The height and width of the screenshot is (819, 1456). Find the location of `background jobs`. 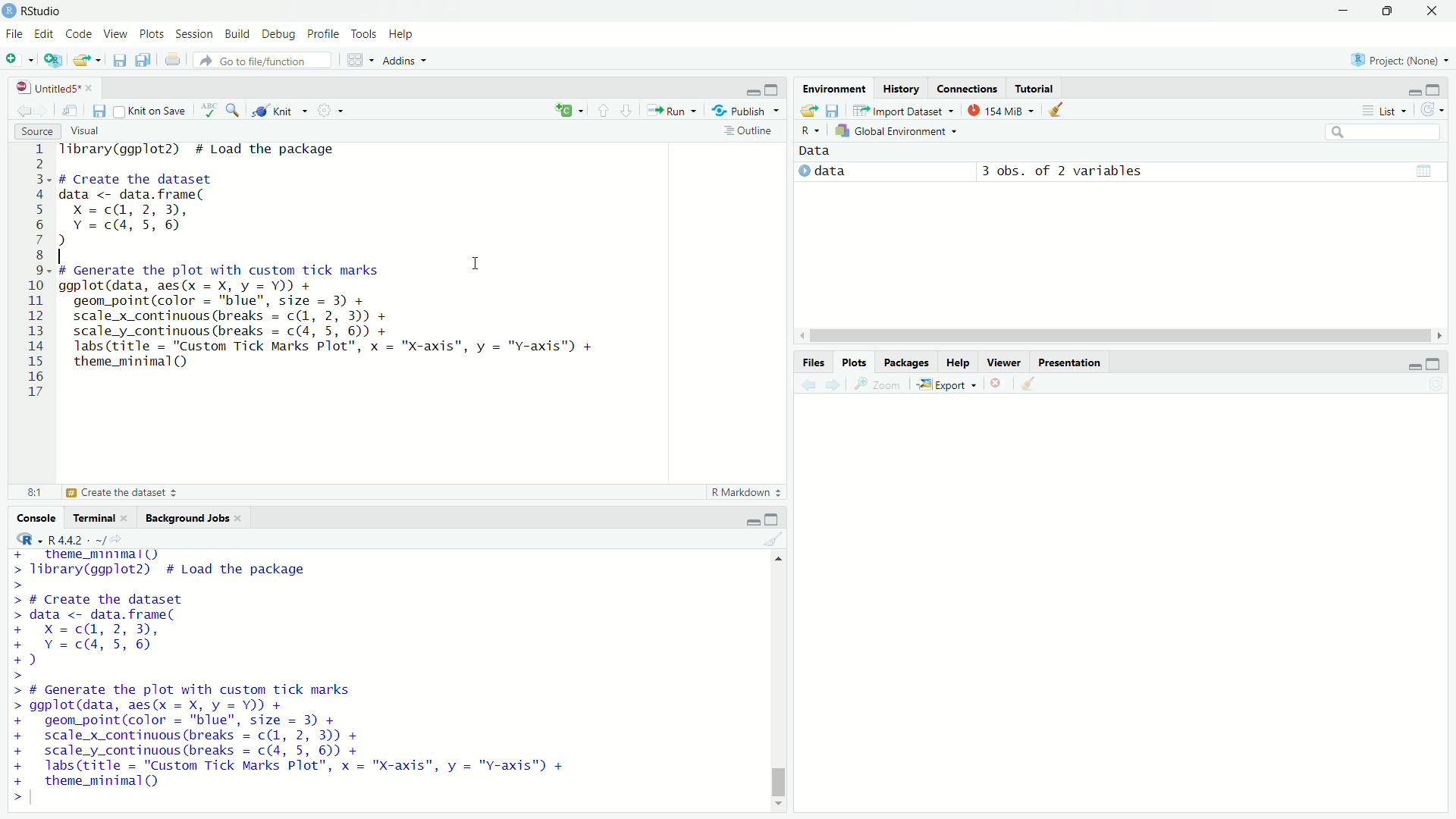

background jobs is located at coordinates (189, 518).